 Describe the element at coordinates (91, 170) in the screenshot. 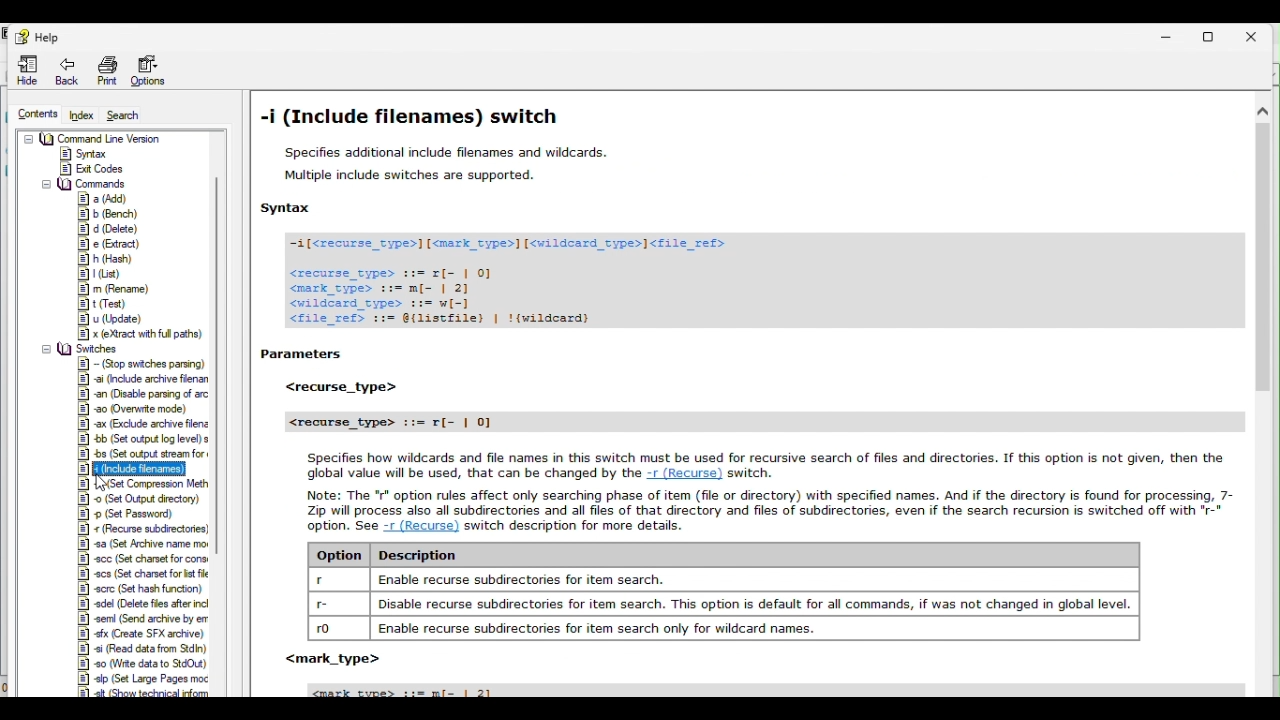

I see `exit codes commands` at that location.